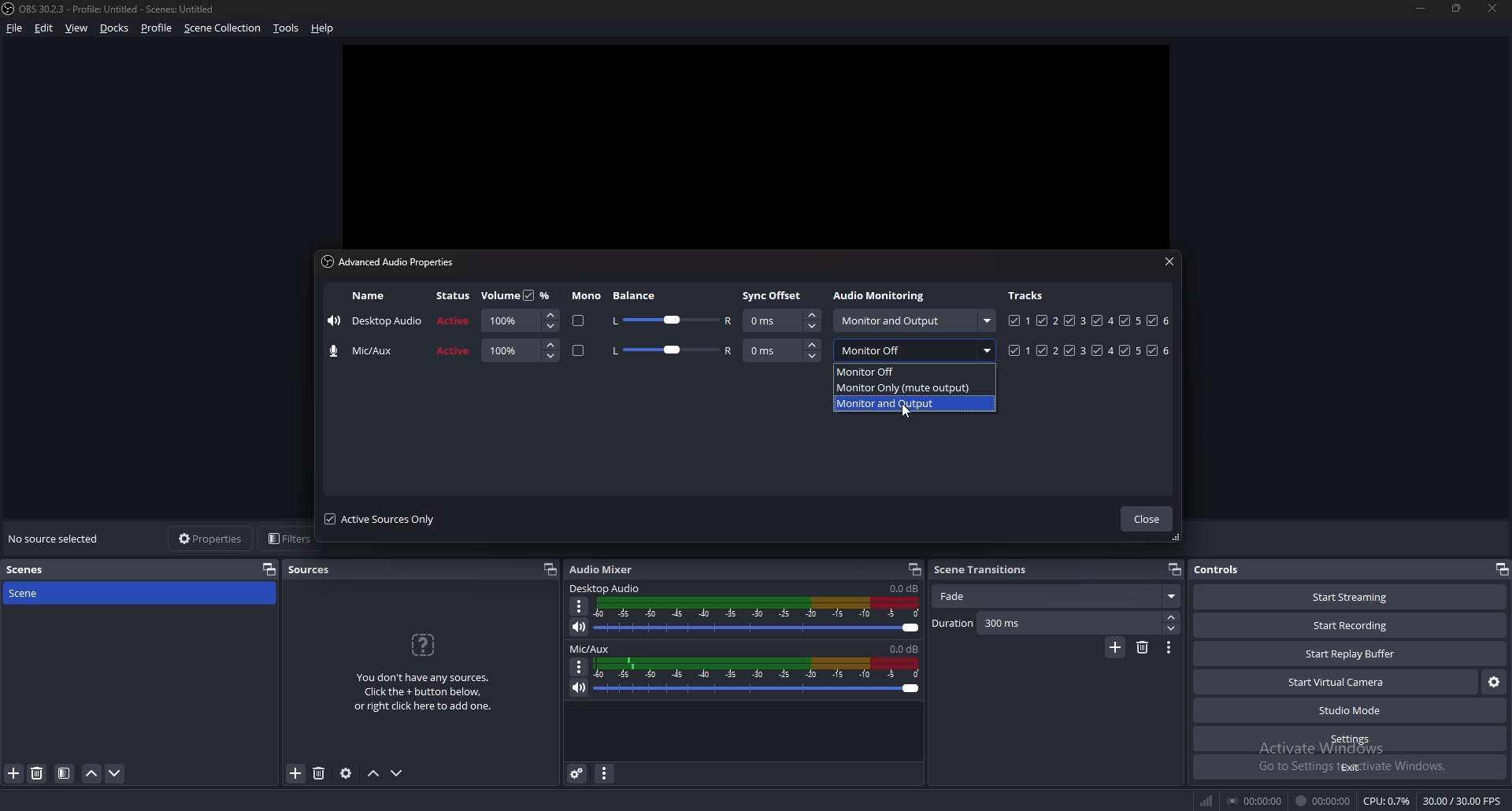  What do you see at coordinates (913, 349) in the screenshot?
I see `monitor off` at bounding box center [913, 349].